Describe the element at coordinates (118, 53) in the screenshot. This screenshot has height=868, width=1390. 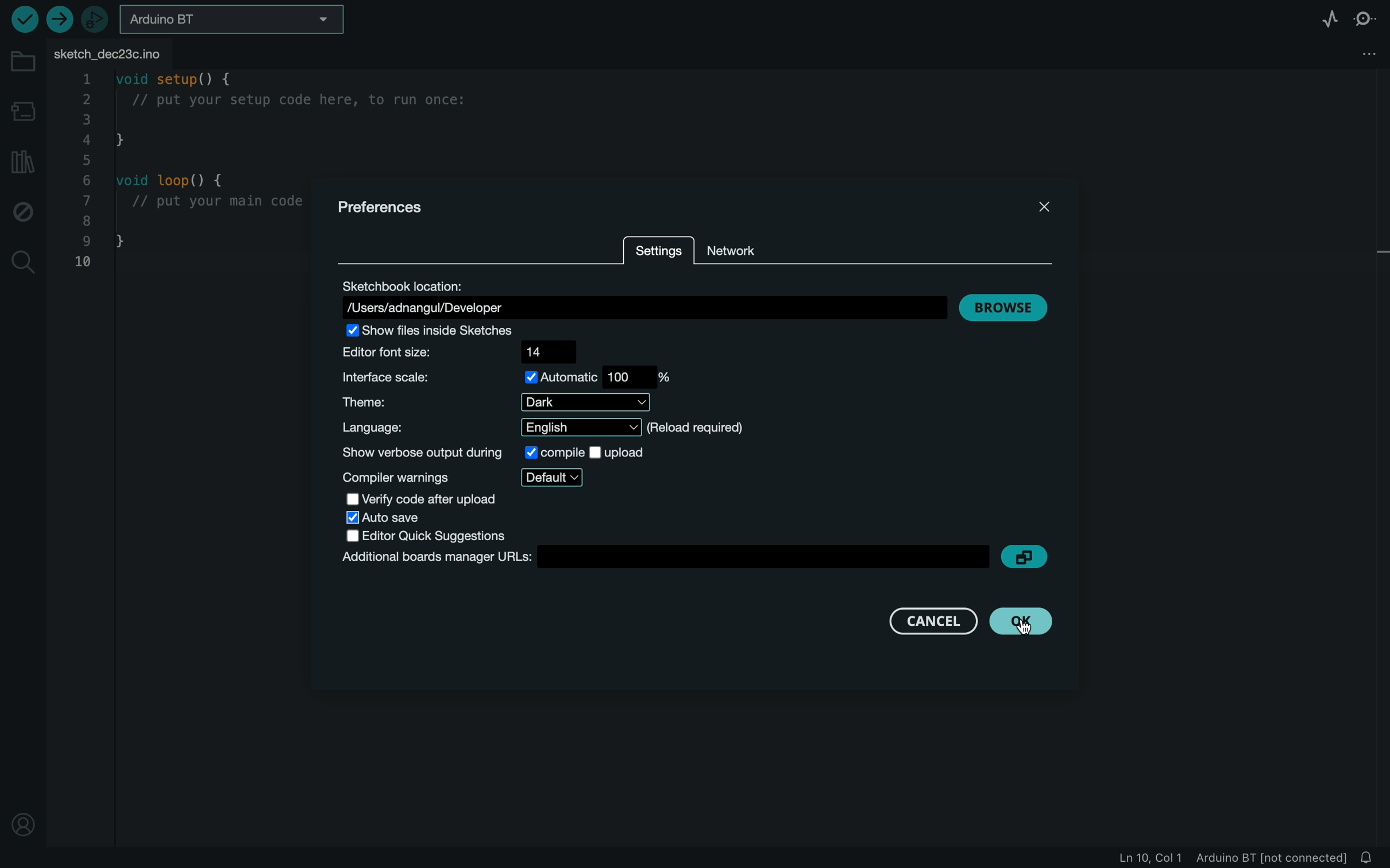
I see `file tab` at that location.